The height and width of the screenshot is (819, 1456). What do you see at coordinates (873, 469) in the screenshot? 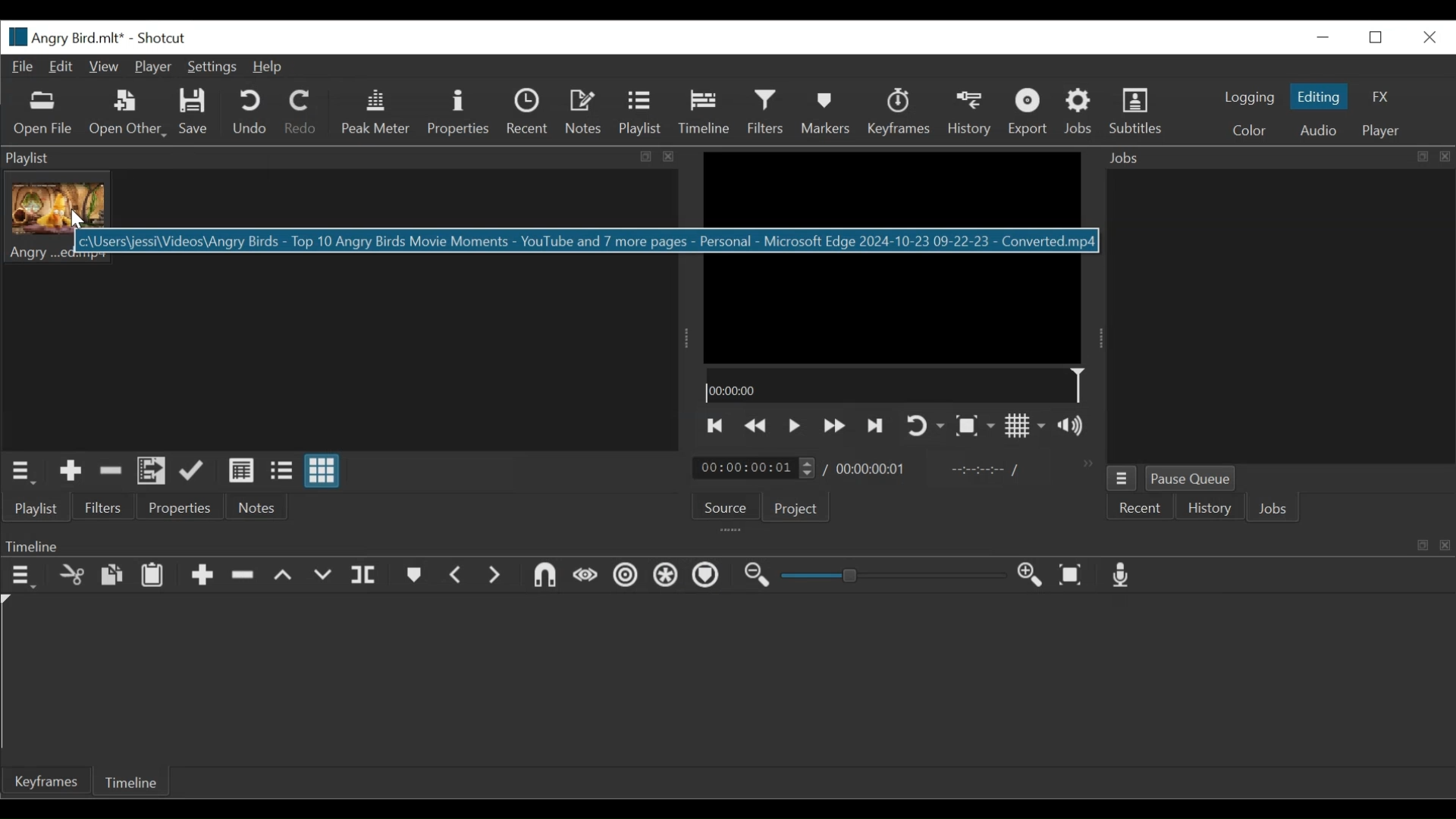
I see `Total Duration` at bounding box center [873, 469].